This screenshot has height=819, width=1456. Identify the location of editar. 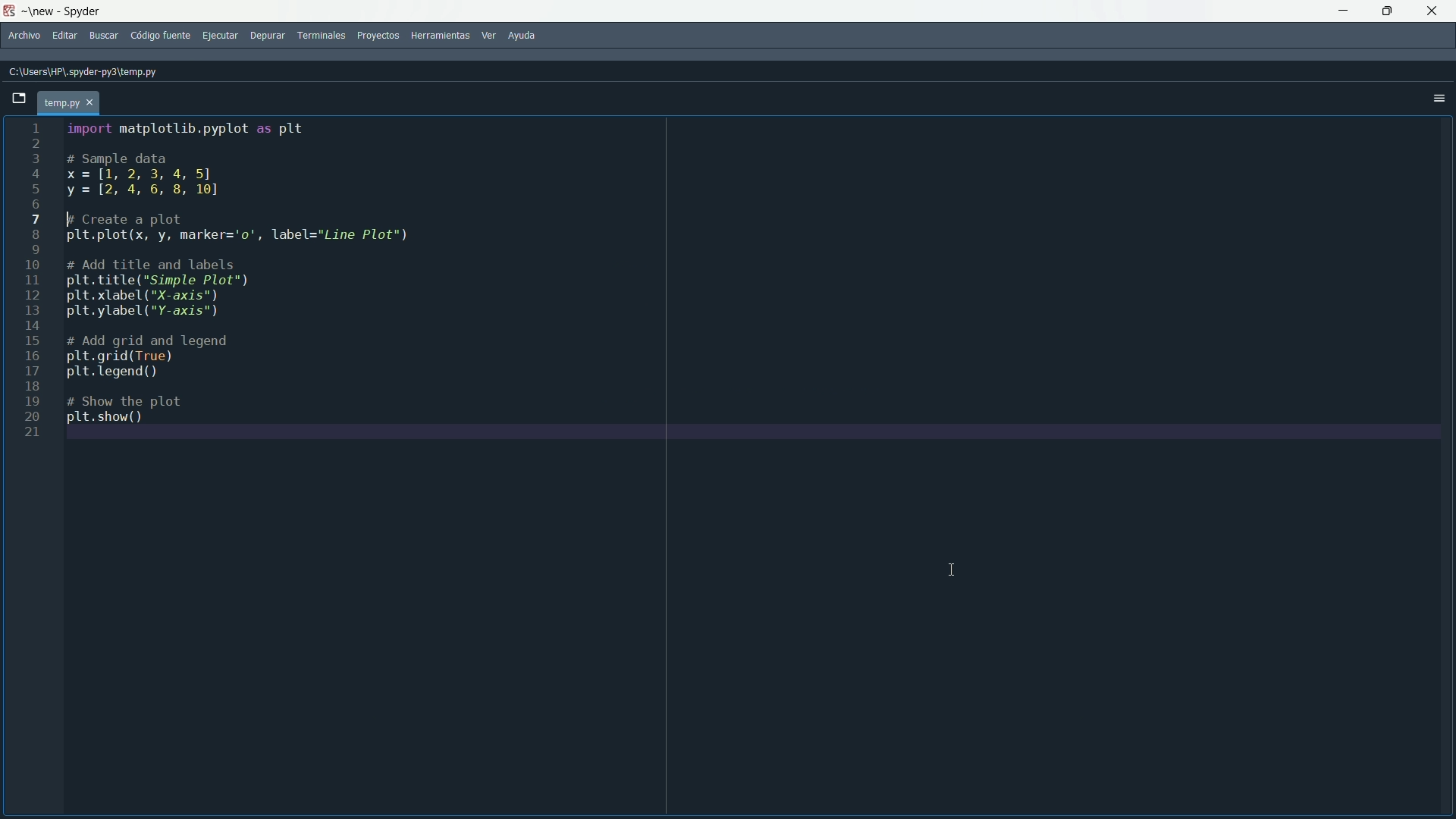
(64, 36).